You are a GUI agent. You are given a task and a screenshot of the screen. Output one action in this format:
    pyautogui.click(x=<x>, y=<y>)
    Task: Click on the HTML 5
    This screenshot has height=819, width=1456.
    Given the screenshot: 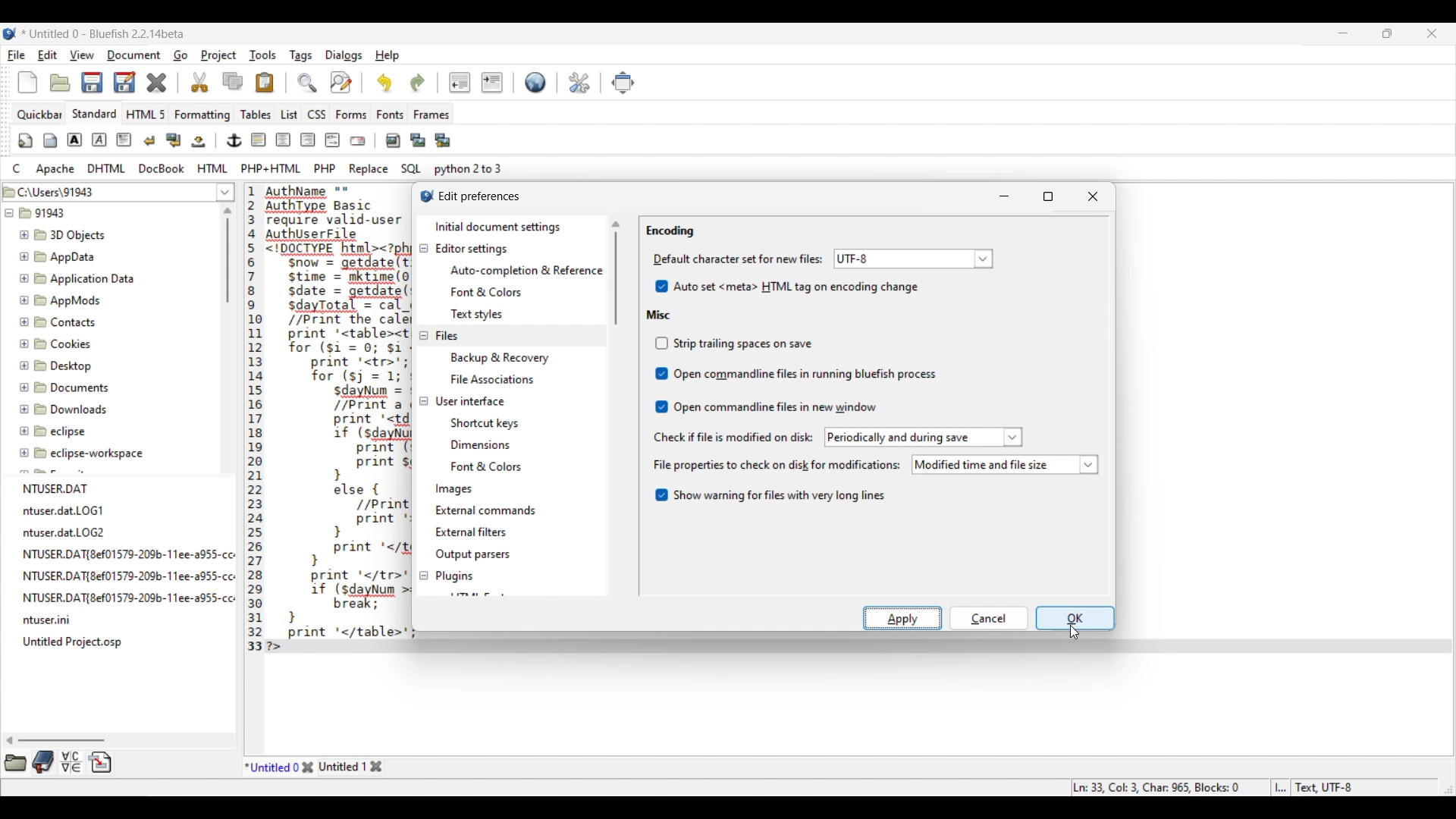 What is the action you would take?
    pyautogui.click(x=146, y=114)
    